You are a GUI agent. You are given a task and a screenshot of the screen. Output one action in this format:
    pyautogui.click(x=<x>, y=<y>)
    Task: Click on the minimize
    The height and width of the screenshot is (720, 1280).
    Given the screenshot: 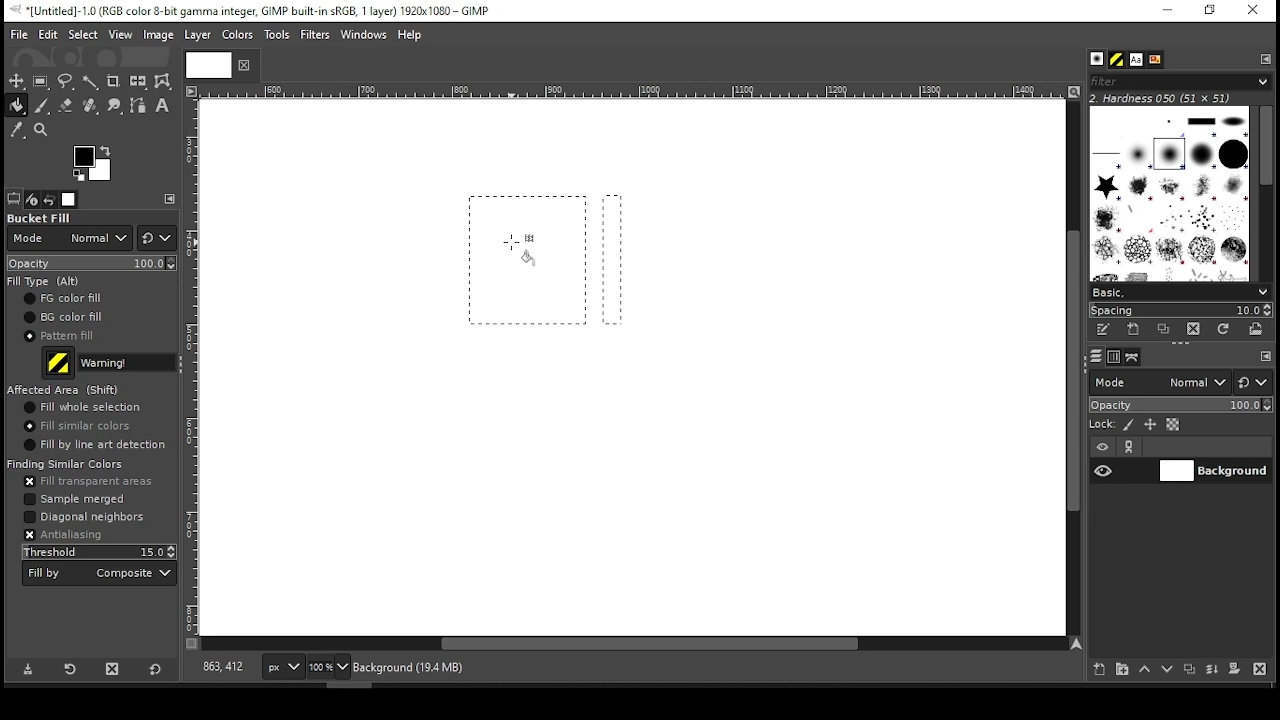 What is the action you would take?
    pyautogui.click(x=1166, y=11)
    